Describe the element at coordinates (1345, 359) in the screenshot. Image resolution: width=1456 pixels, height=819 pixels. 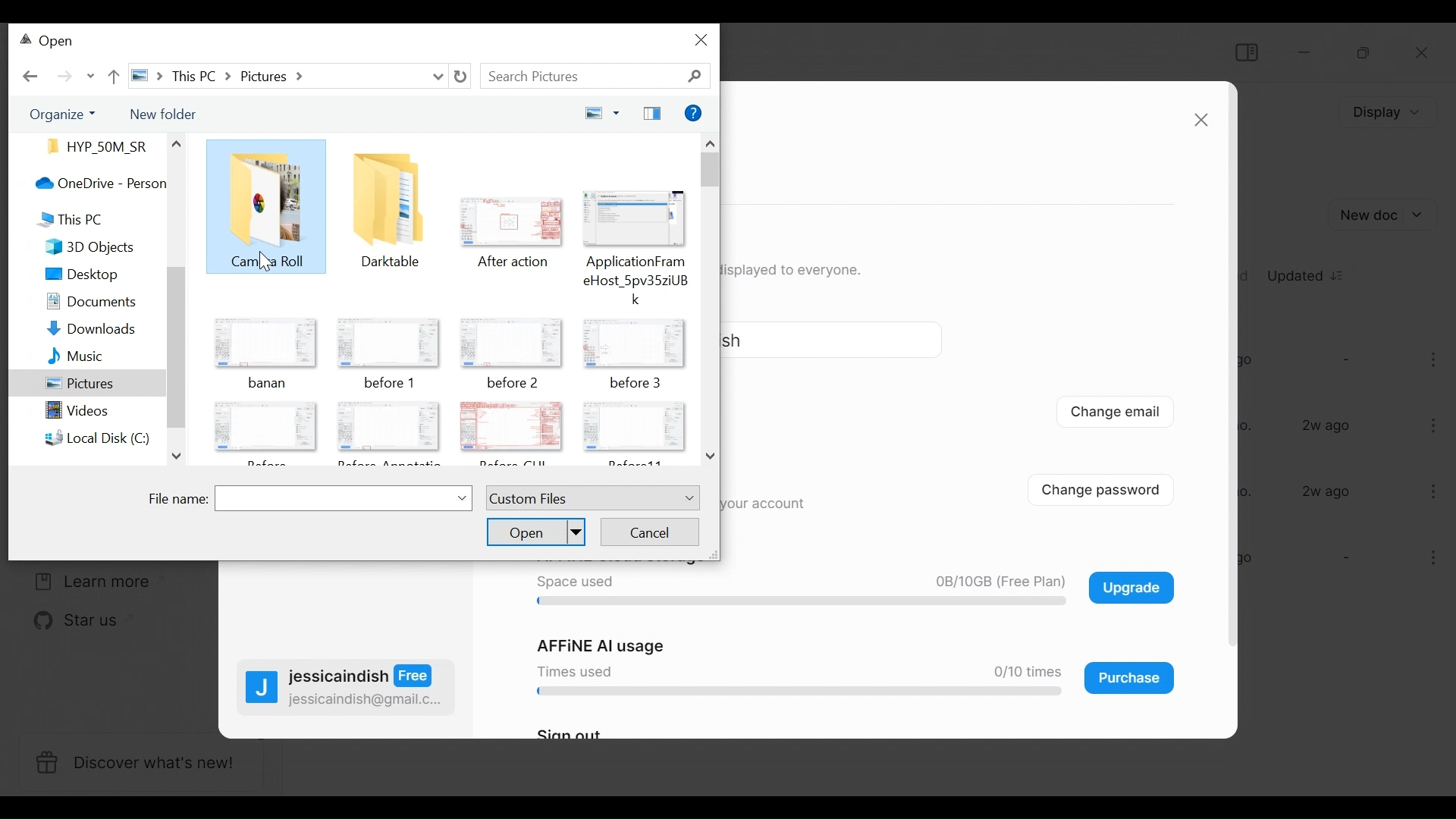
I see `-` at that location.